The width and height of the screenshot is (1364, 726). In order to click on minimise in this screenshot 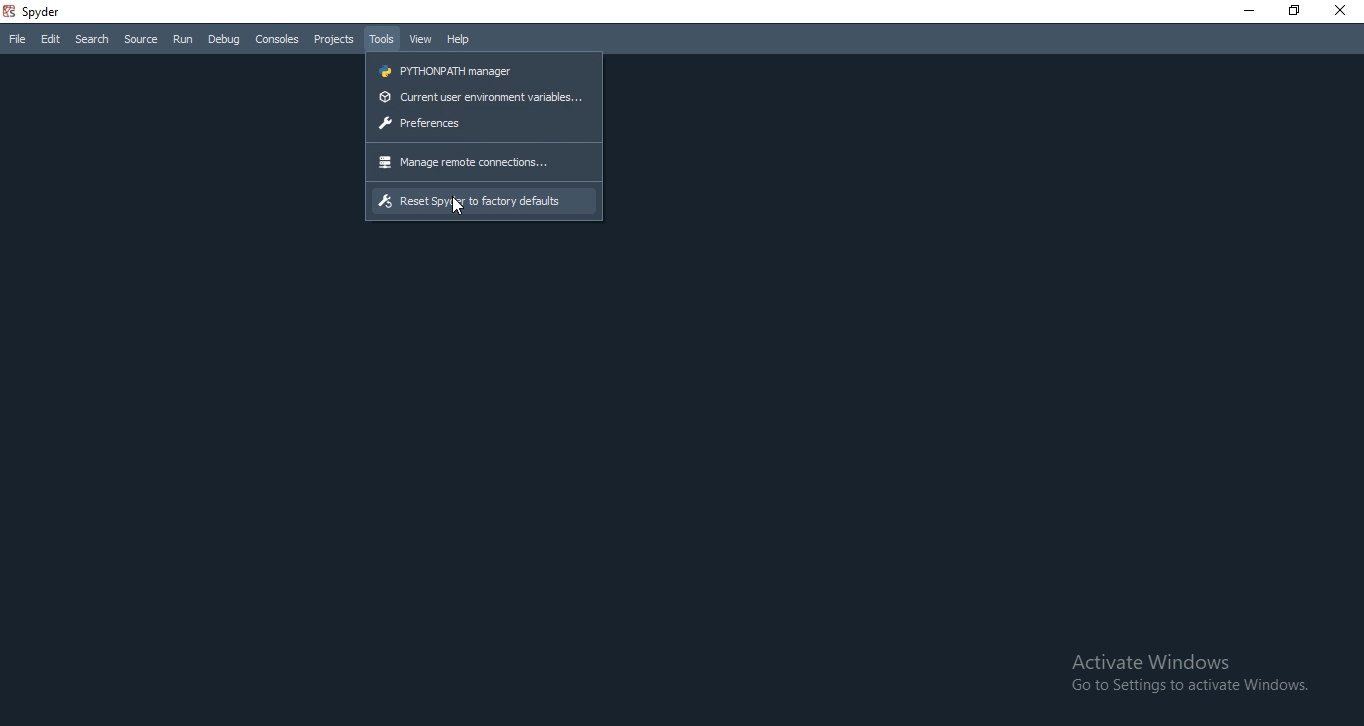, I will do `click(1247, 12)`.